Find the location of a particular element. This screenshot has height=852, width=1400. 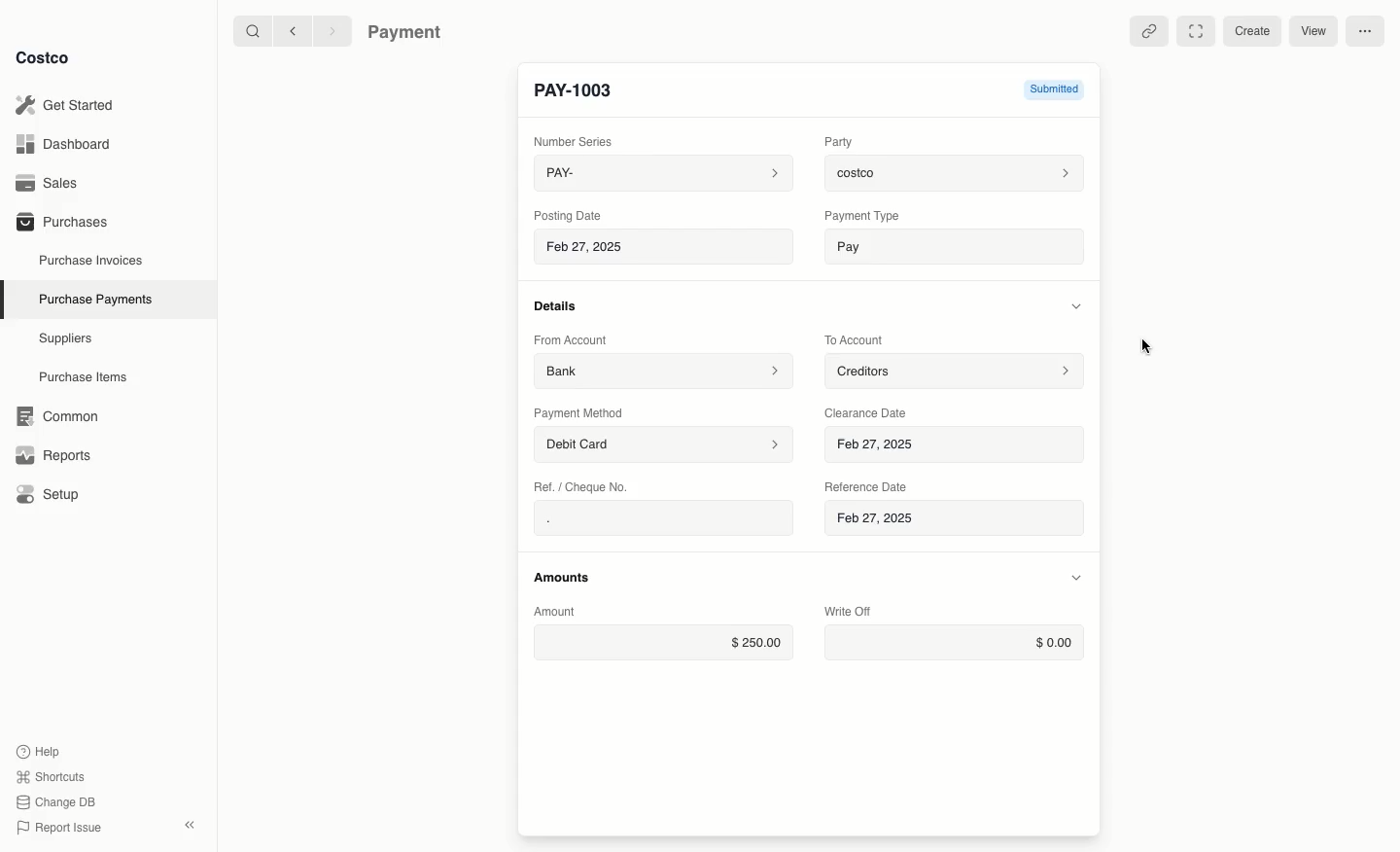

Costco is located at coordinates (42, 57).